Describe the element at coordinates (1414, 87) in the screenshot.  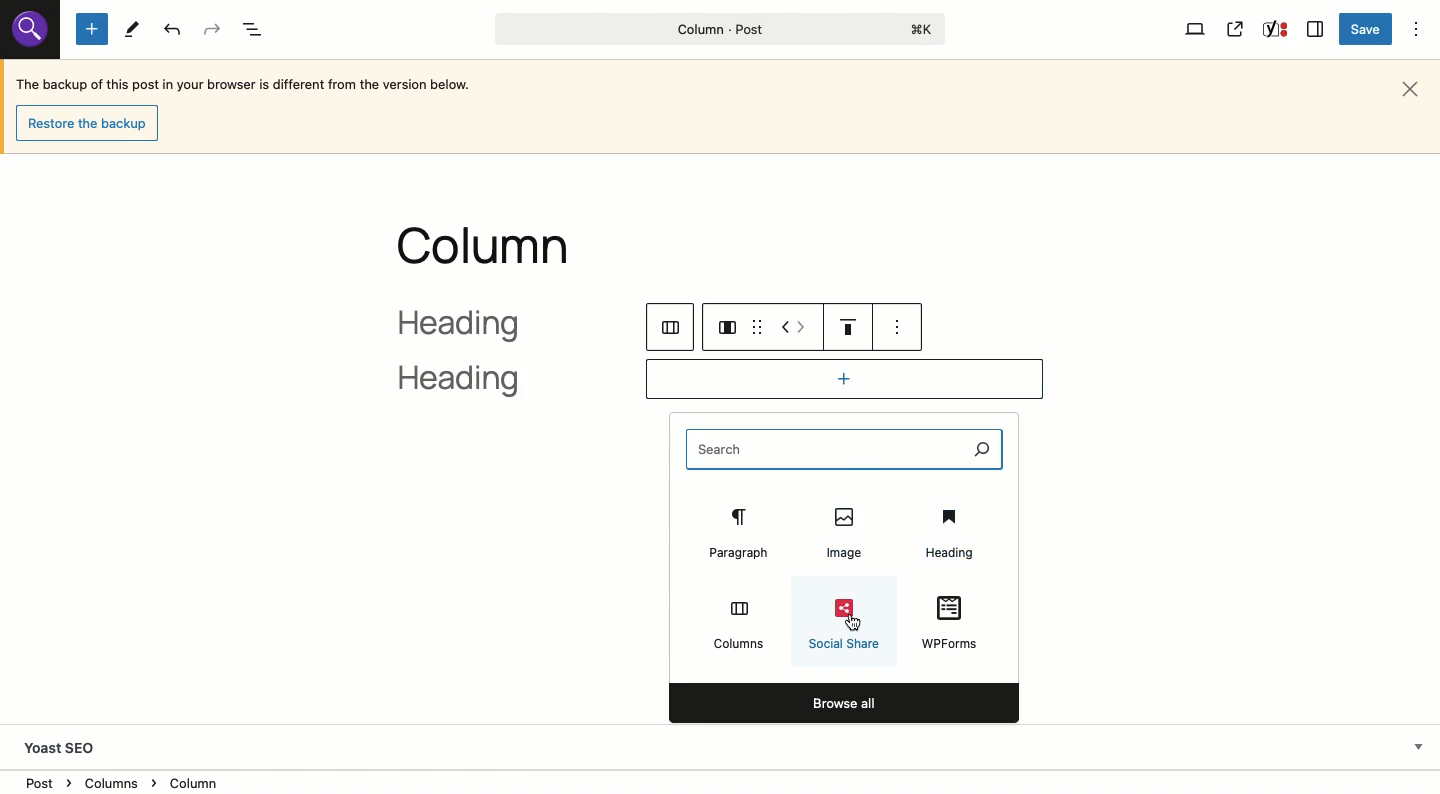
I see `Close` at that location.